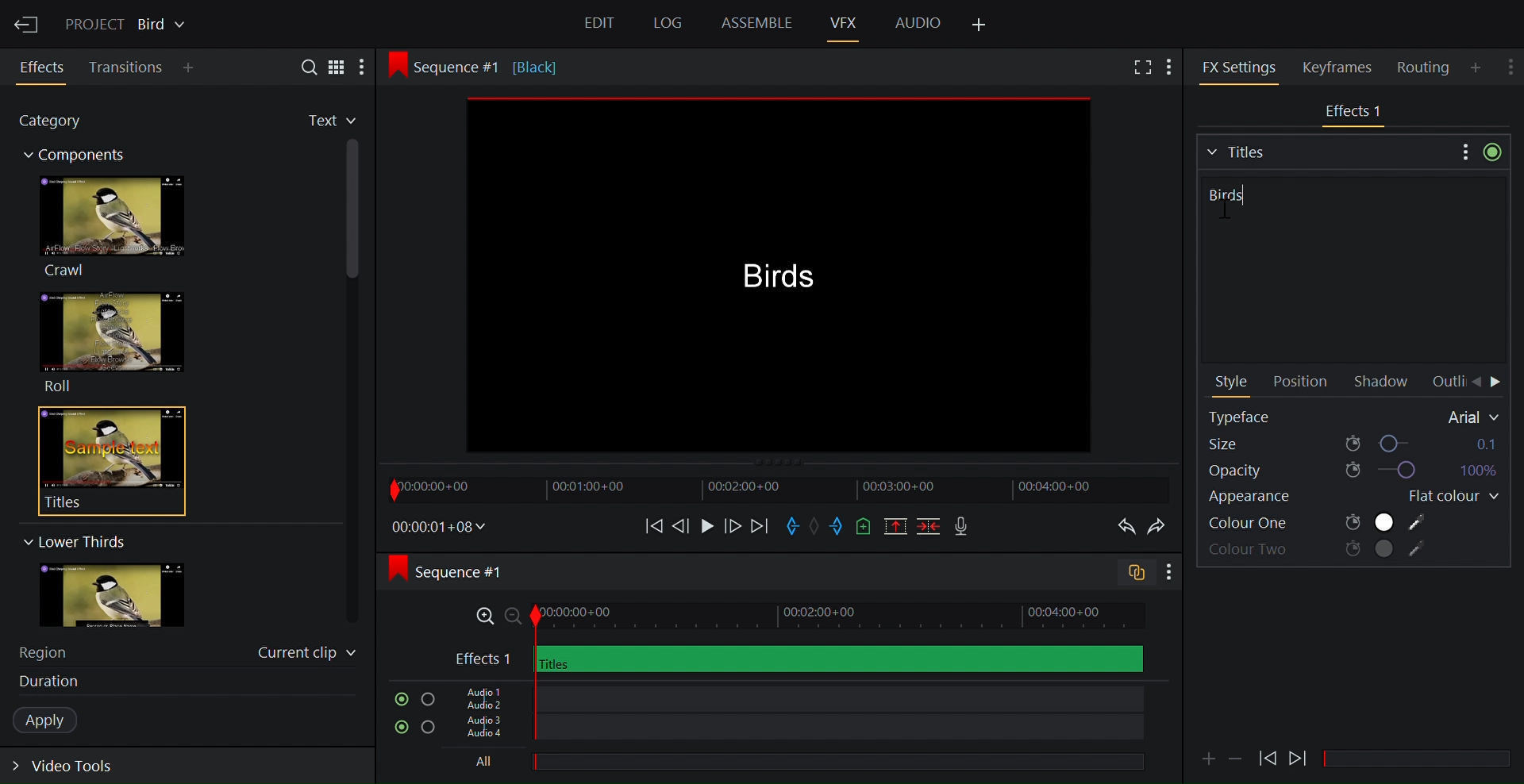 Image resolution: width=1524 pixels, height=784 pixels. What do you see at coordinates (1344, 67) in the screenshot?
I see `Keyframes` at bounding box center [1344, 67].